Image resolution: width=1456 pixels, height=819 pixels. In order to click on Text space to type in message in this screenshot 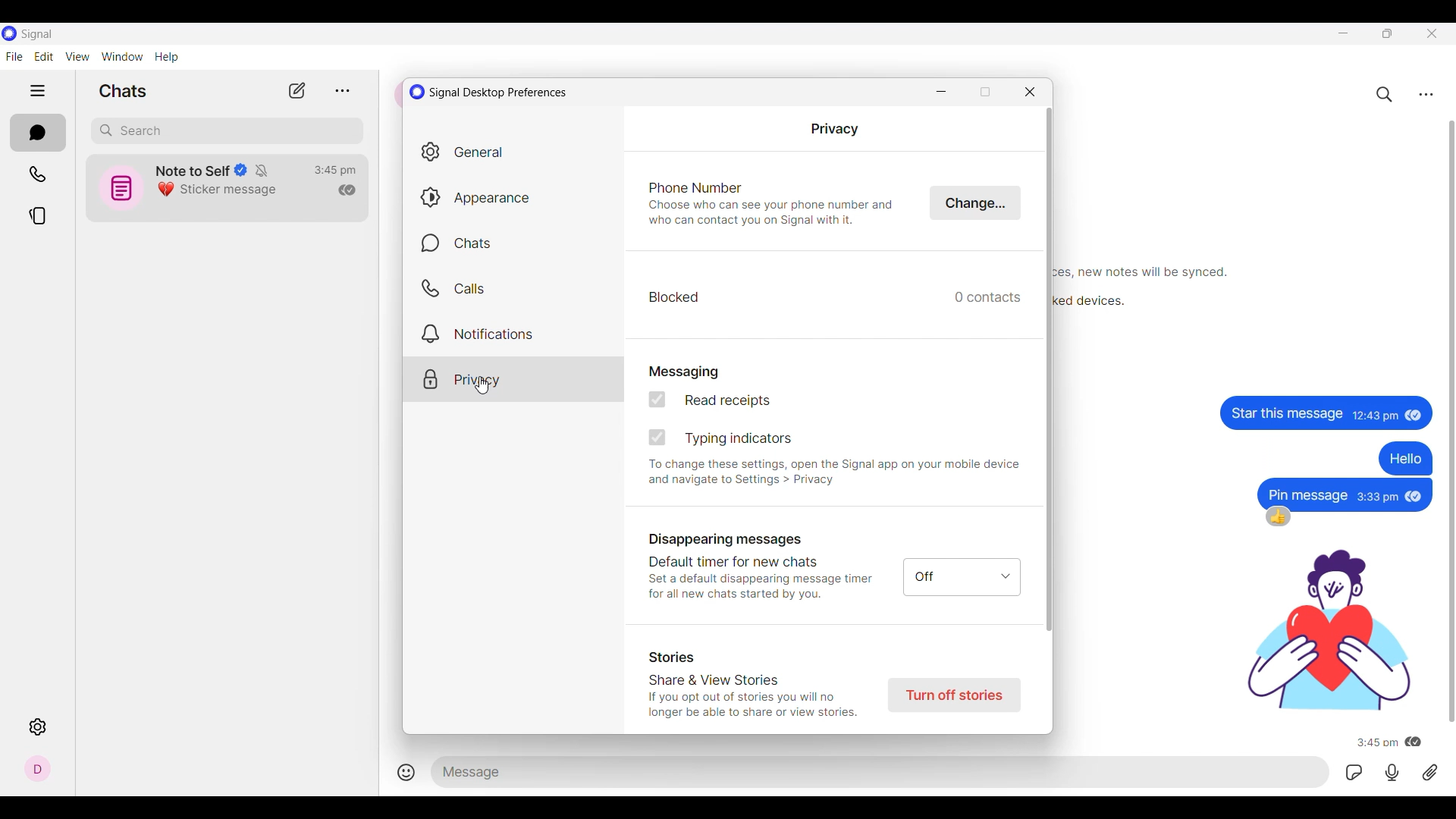, I will do `click(883, 772)`.